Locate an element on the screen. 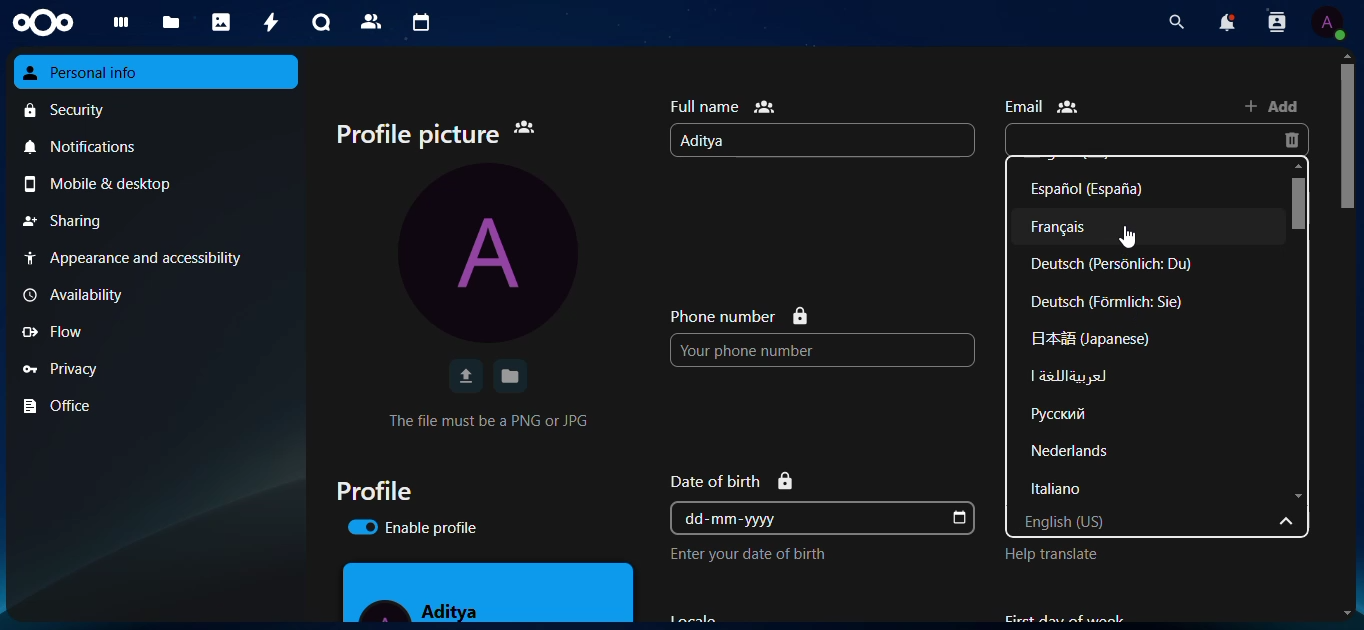  search is located at coordinates (1171, 22).